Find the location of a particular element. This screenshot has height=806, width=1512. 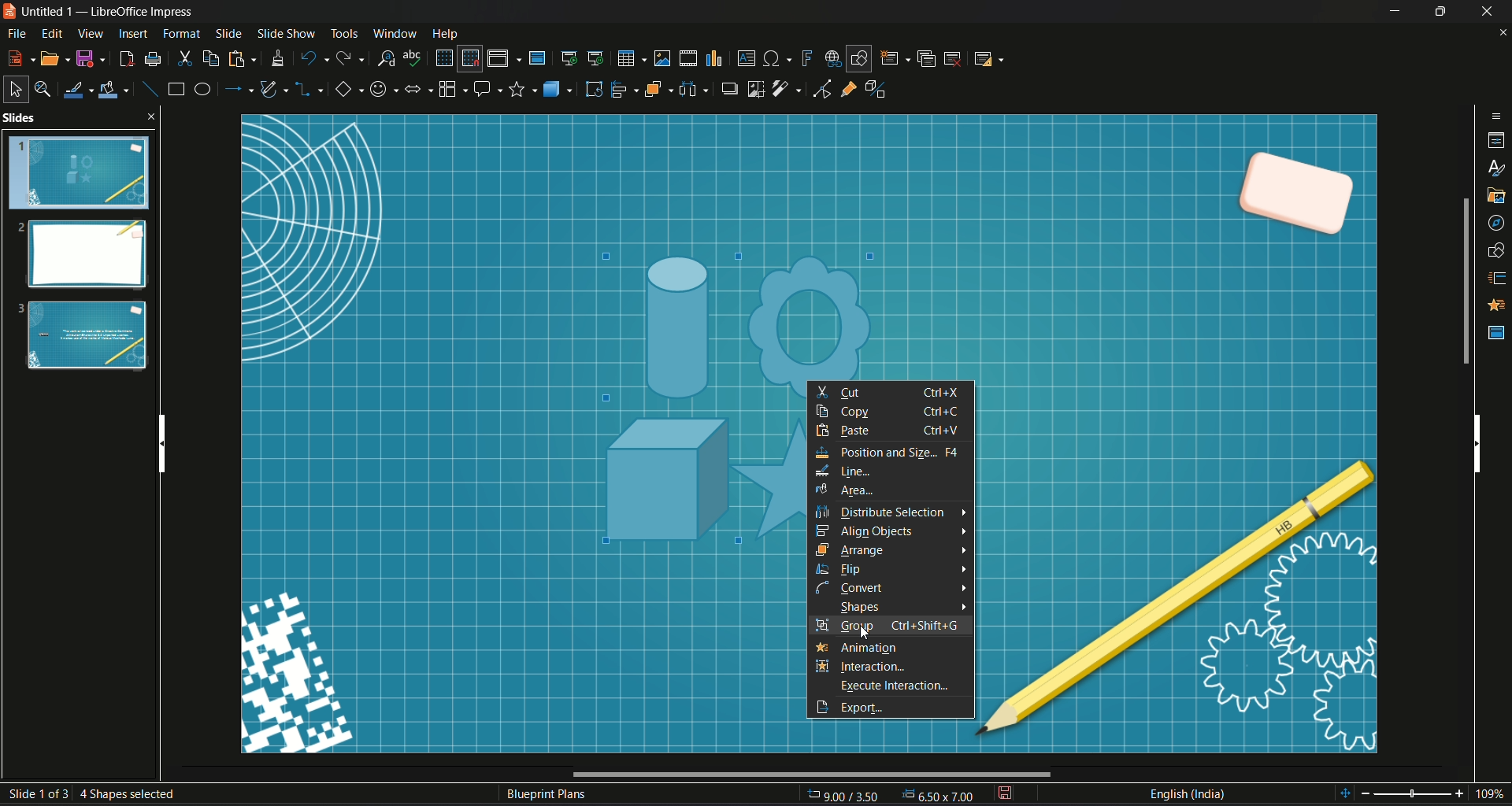

Minimize is located at coordinates (1395, 11).